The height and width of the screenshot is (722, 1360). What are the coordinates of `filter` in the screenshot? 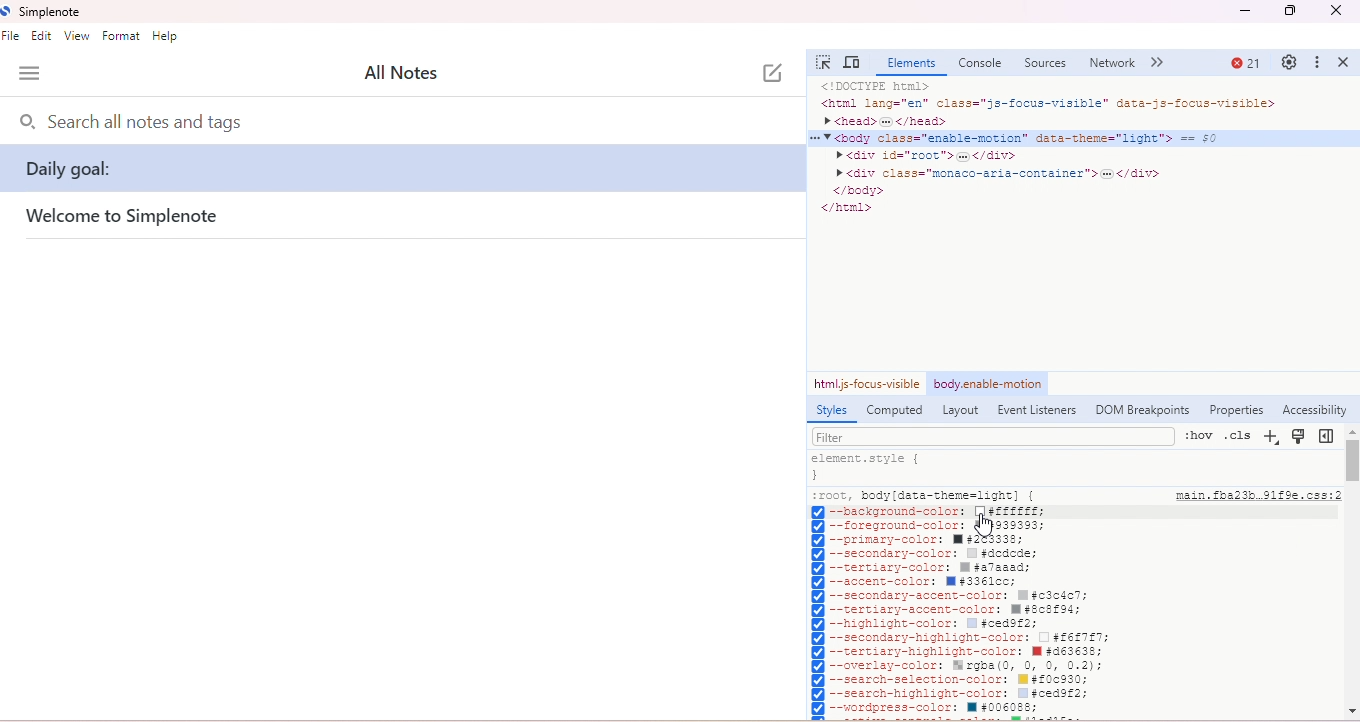 It's located at (867, 437).